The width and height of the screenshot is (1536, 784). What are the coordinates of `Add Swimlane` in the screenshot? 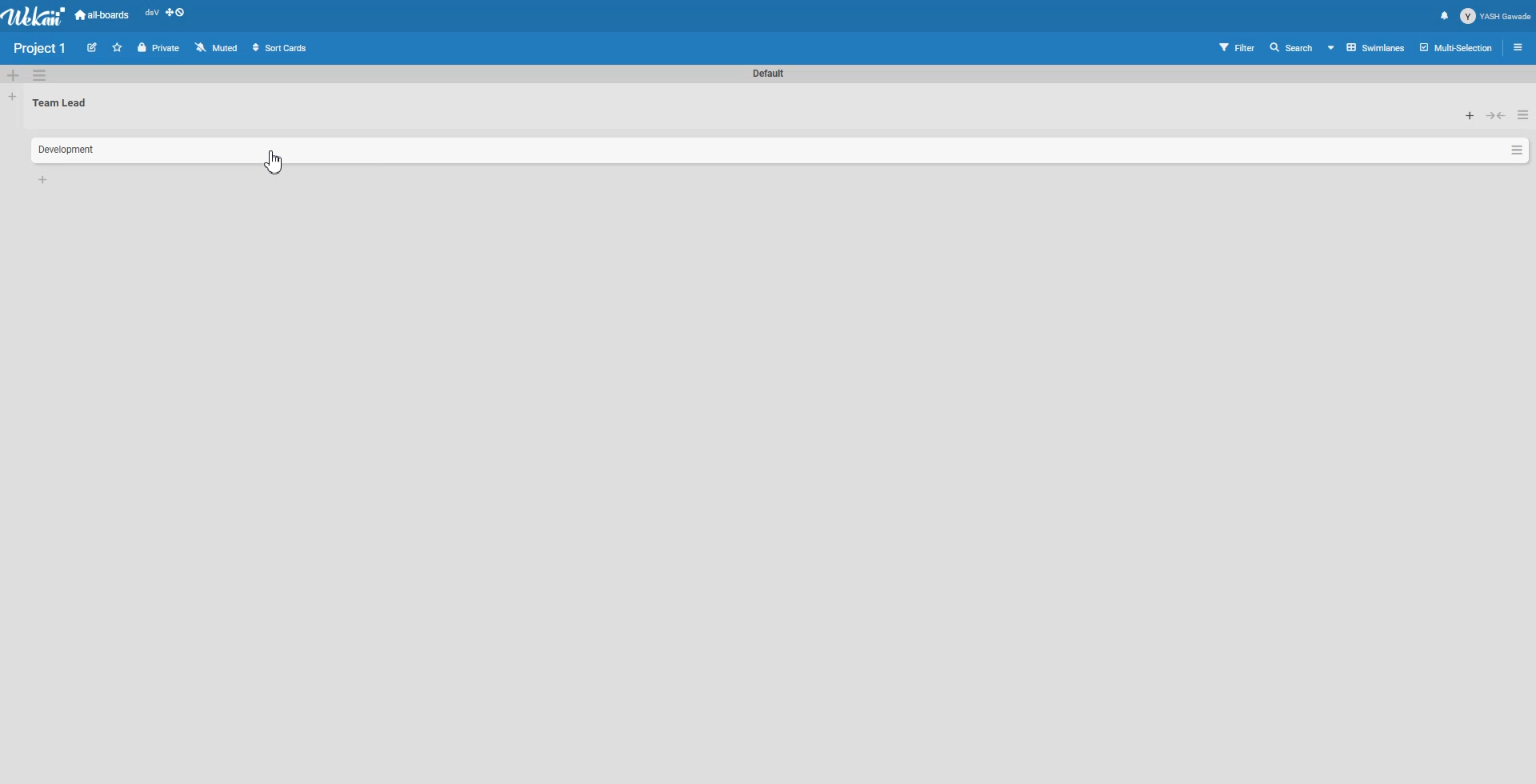 It's located at (14, 74).